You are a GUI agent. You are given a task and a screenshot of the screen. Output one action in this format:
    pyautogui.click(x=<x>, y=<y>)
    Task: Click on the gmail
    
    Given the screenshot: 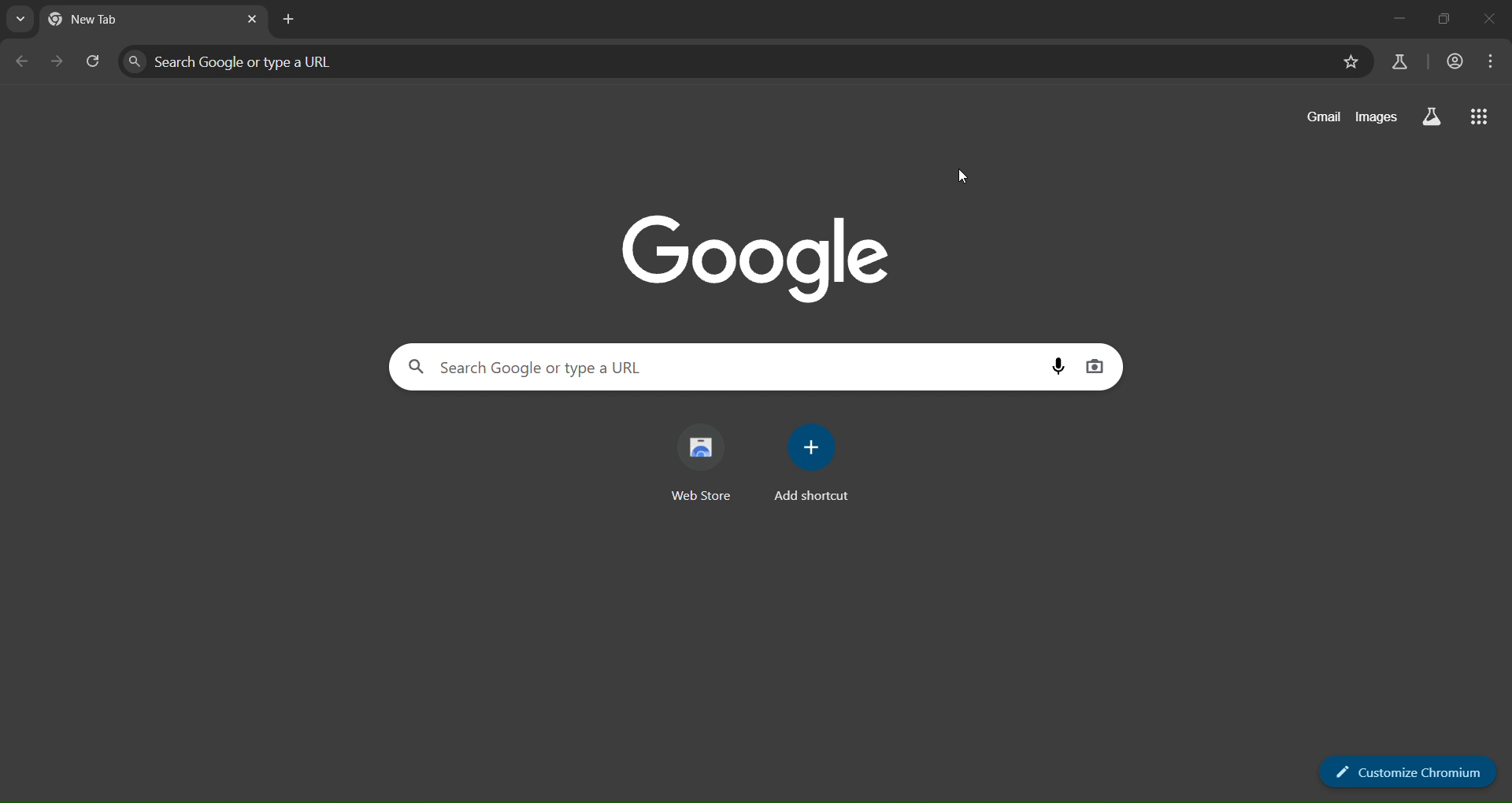 What is the action you would take?
    pyautogui.click(x=1317, y=118)
    